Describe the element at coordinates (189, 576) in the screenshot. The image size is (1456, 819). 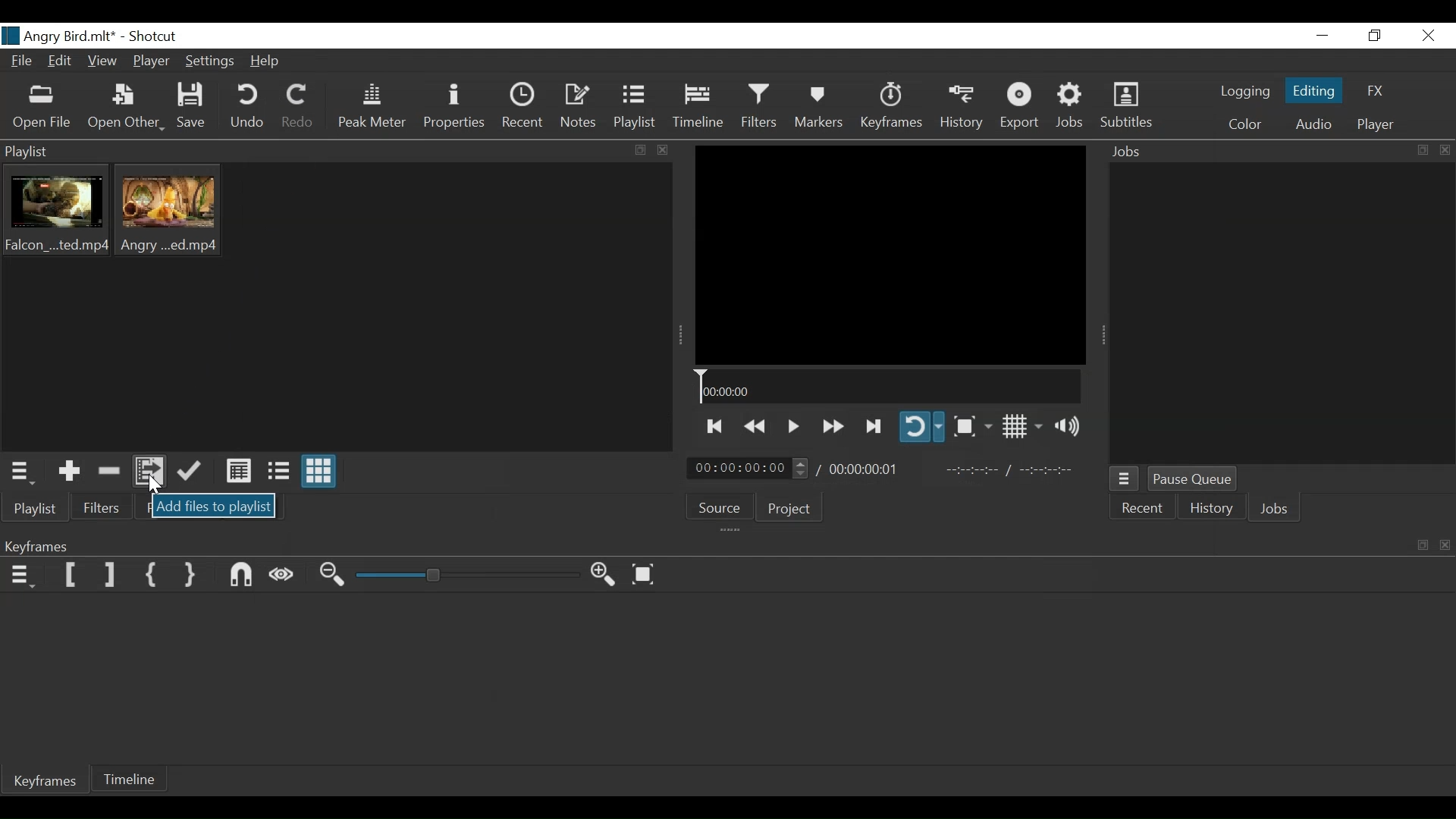
I see `Set Second Simple Keyframe` at that location.